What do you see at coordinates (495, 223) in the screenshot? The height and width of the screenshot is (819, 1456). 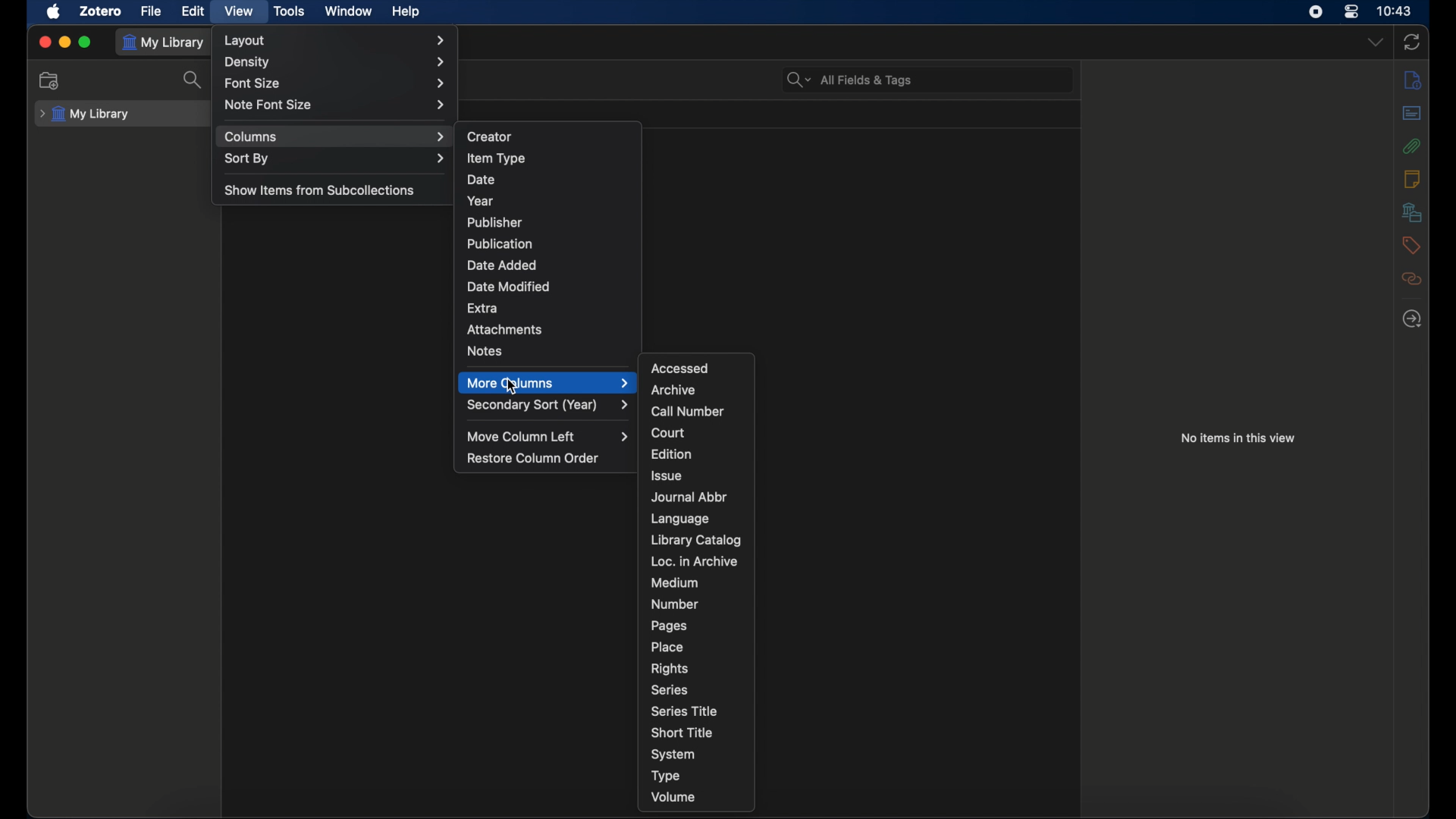 I see `publisher` at bounding box center [495, 223].